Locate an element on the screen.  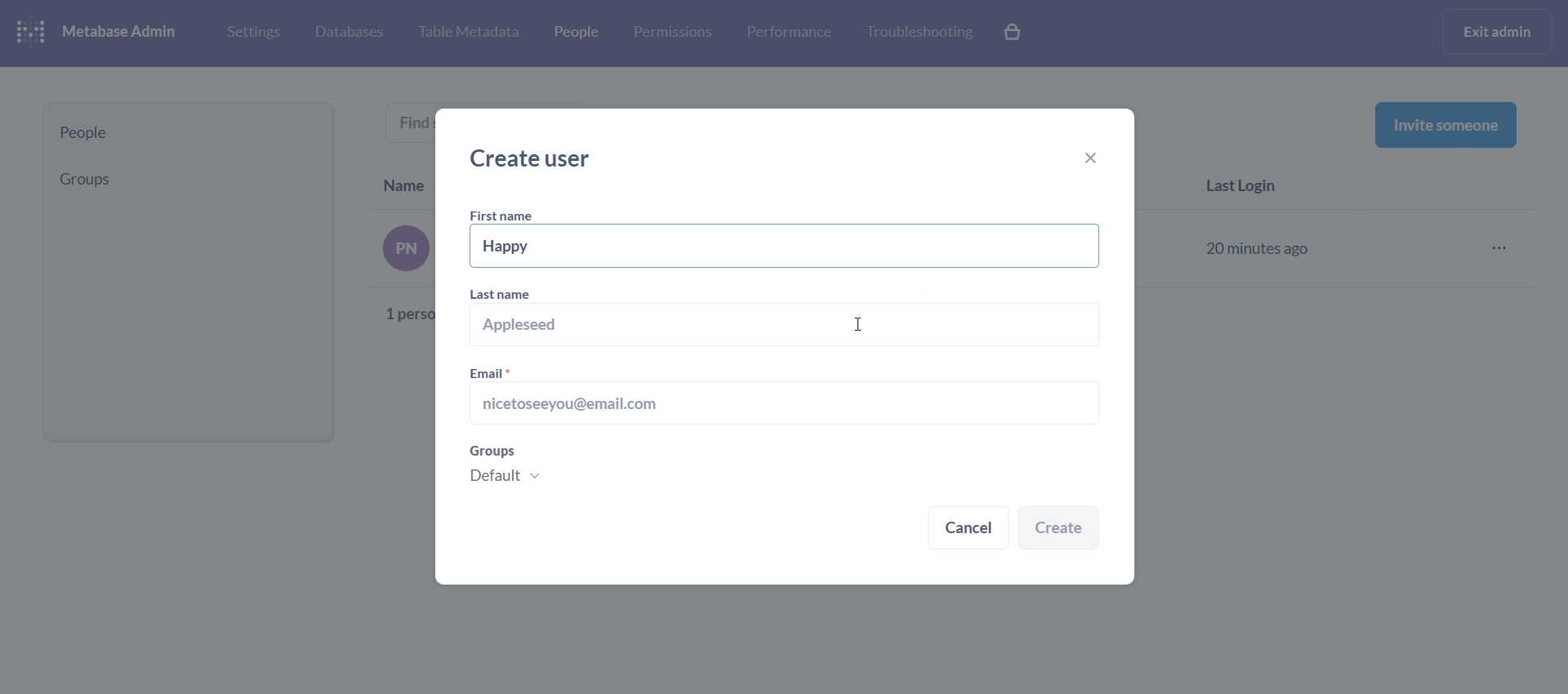
settings is located at coordinates (252, 31).